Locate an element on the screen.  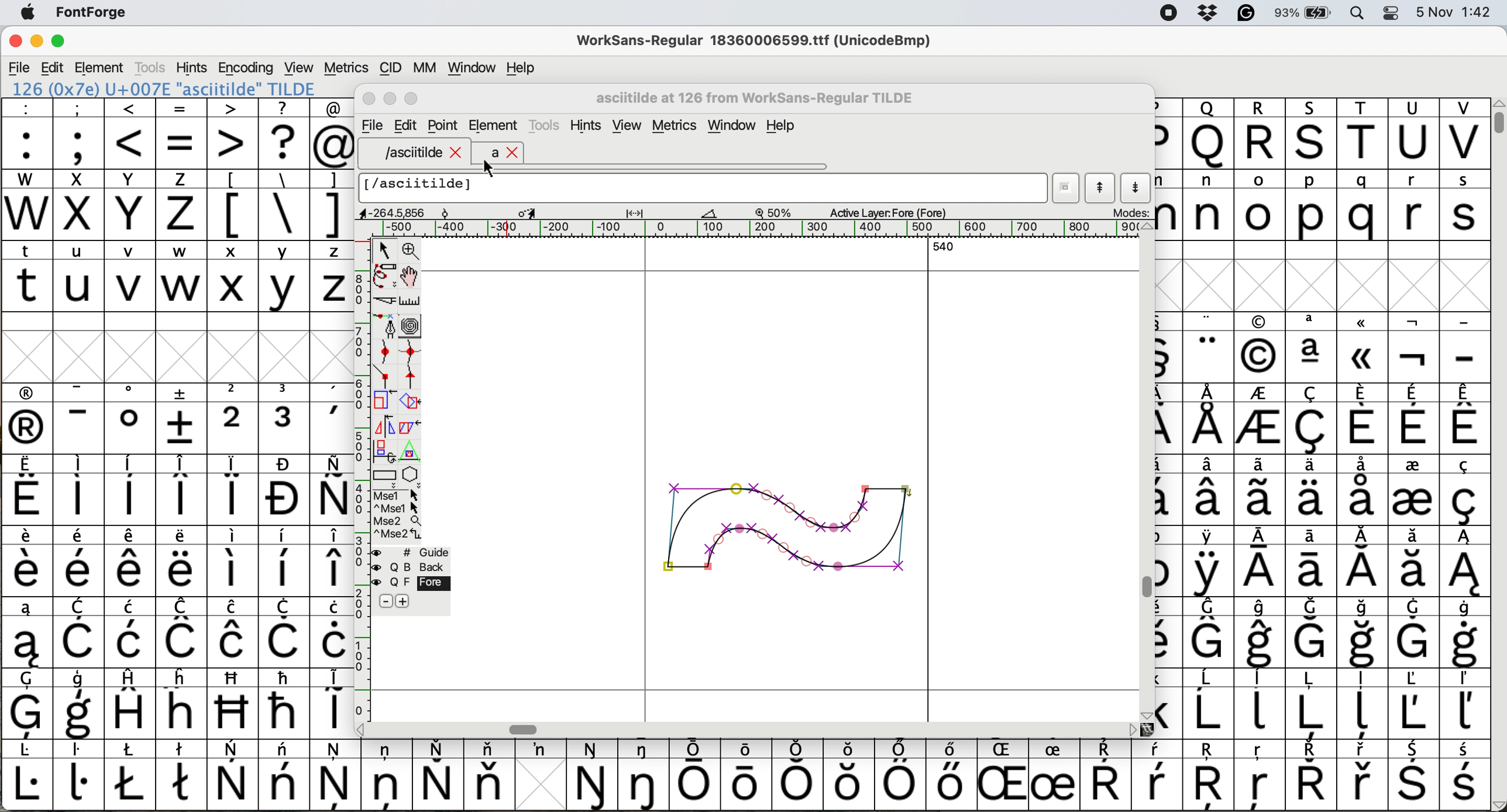
o is located at coordinates (1261, 207).